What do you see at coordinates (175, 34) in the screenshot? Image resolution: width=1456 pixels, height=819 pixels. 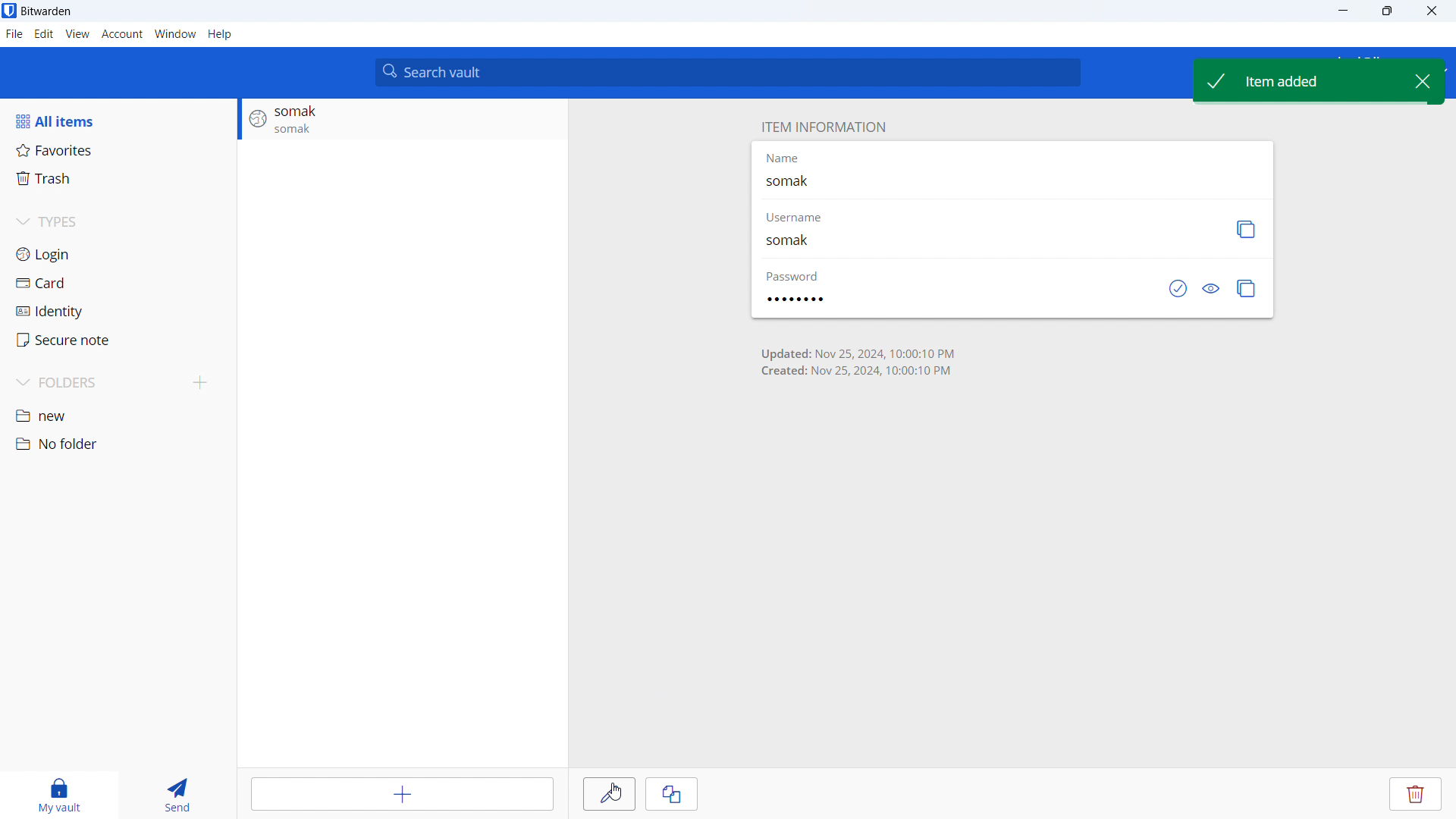 I see `window` at bounding box center [175, 34].